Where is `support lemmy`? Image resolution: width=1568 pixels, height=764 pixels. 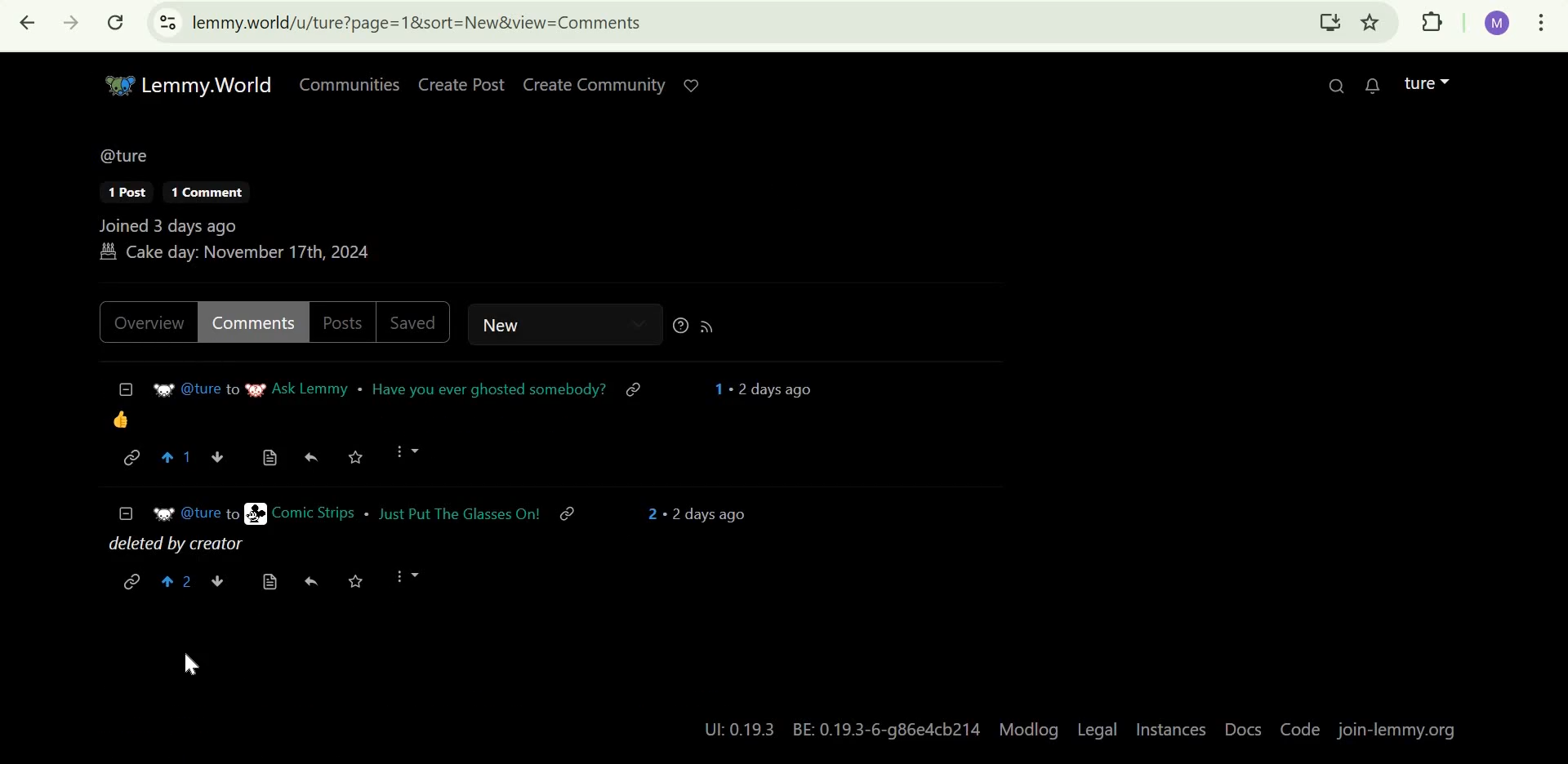 support lemmy is located at coordinates (690, 83).